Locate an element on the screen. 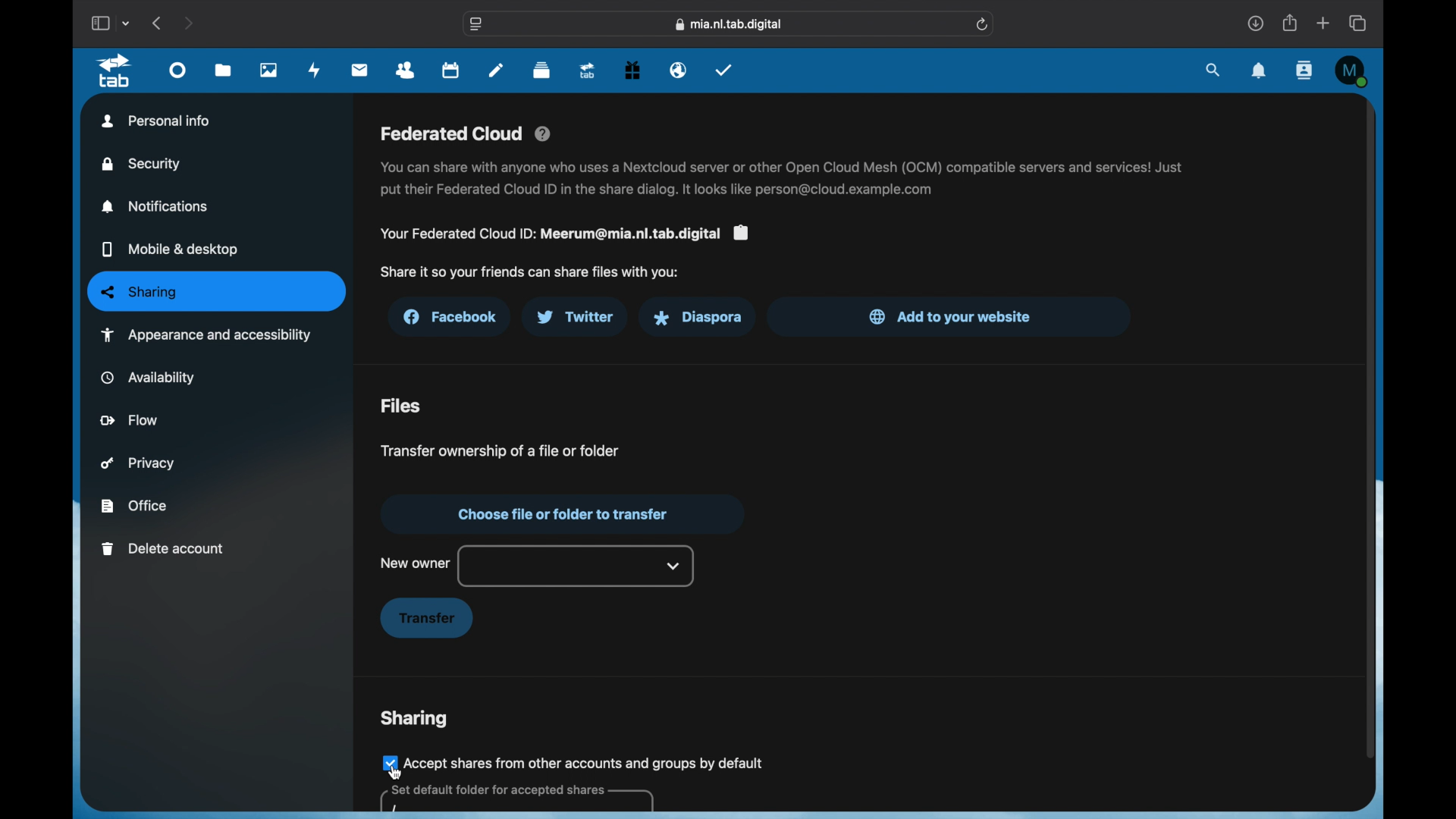 This screenshot has width=1456, height=819. new owner is located at coordinates (415, 563).